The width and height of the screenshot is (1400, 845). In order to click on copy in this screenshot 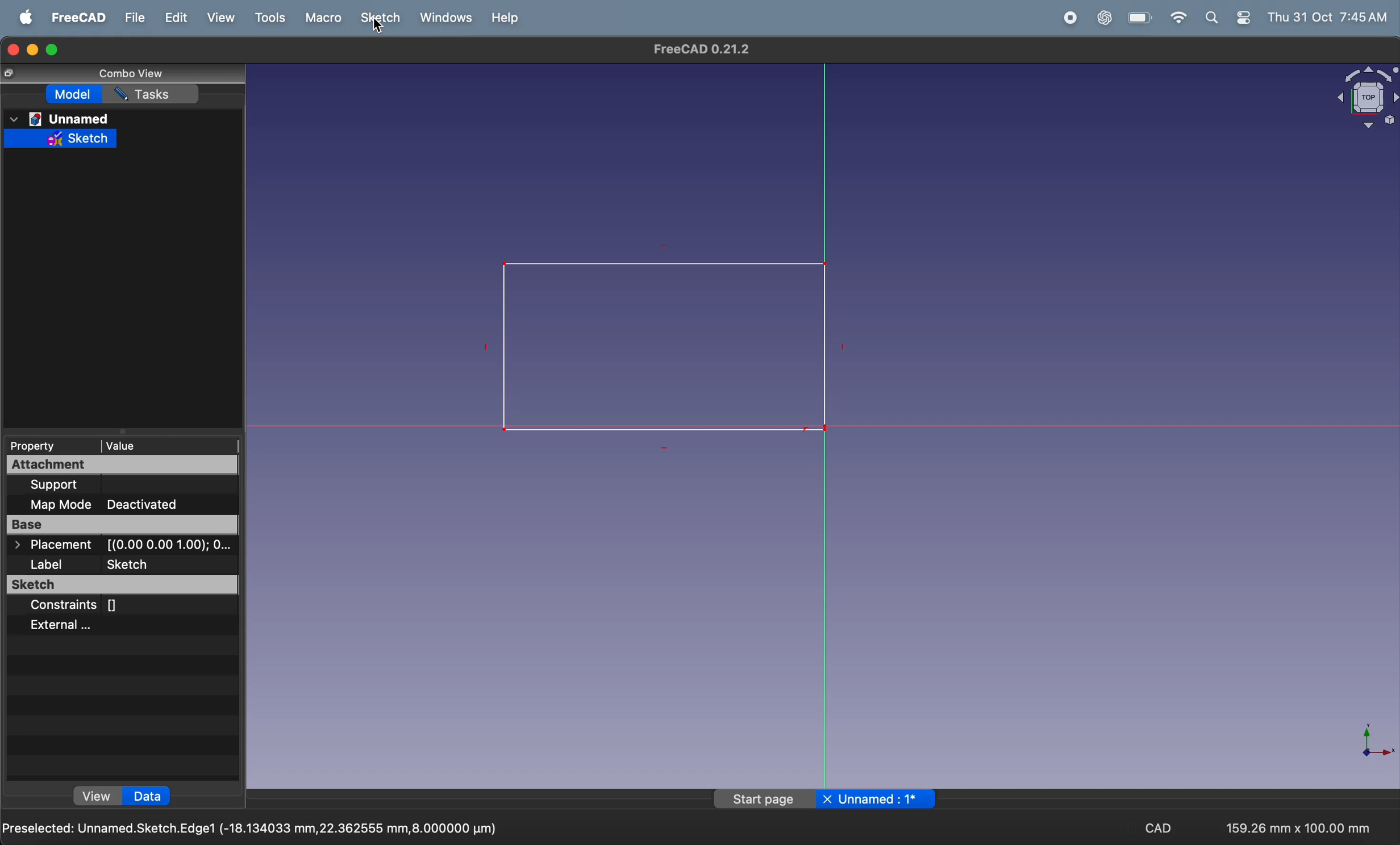, I will do `click(12, 74)`.